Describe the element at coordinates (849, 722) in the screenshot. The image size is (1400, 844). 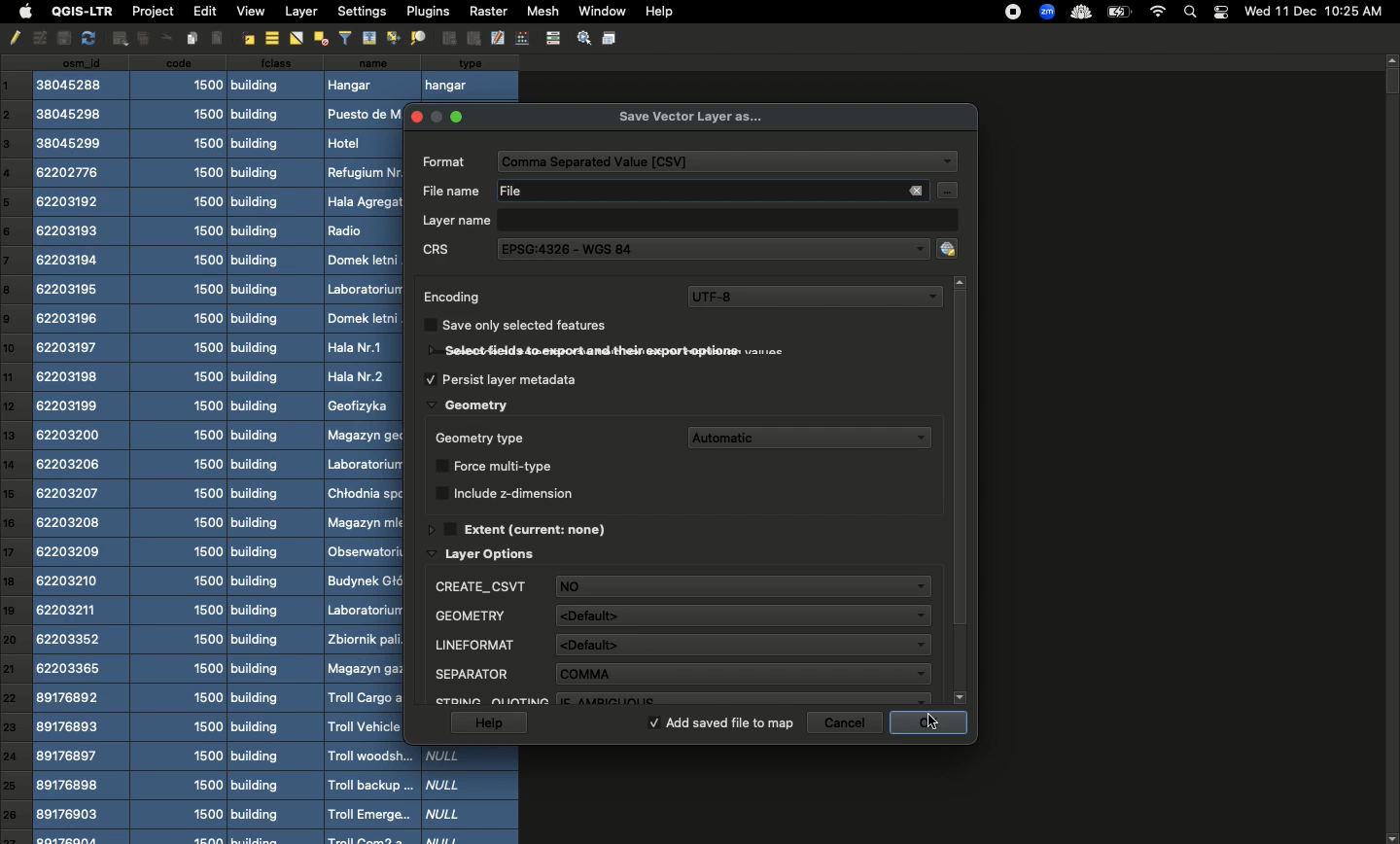
I see `Cancel` at that location.